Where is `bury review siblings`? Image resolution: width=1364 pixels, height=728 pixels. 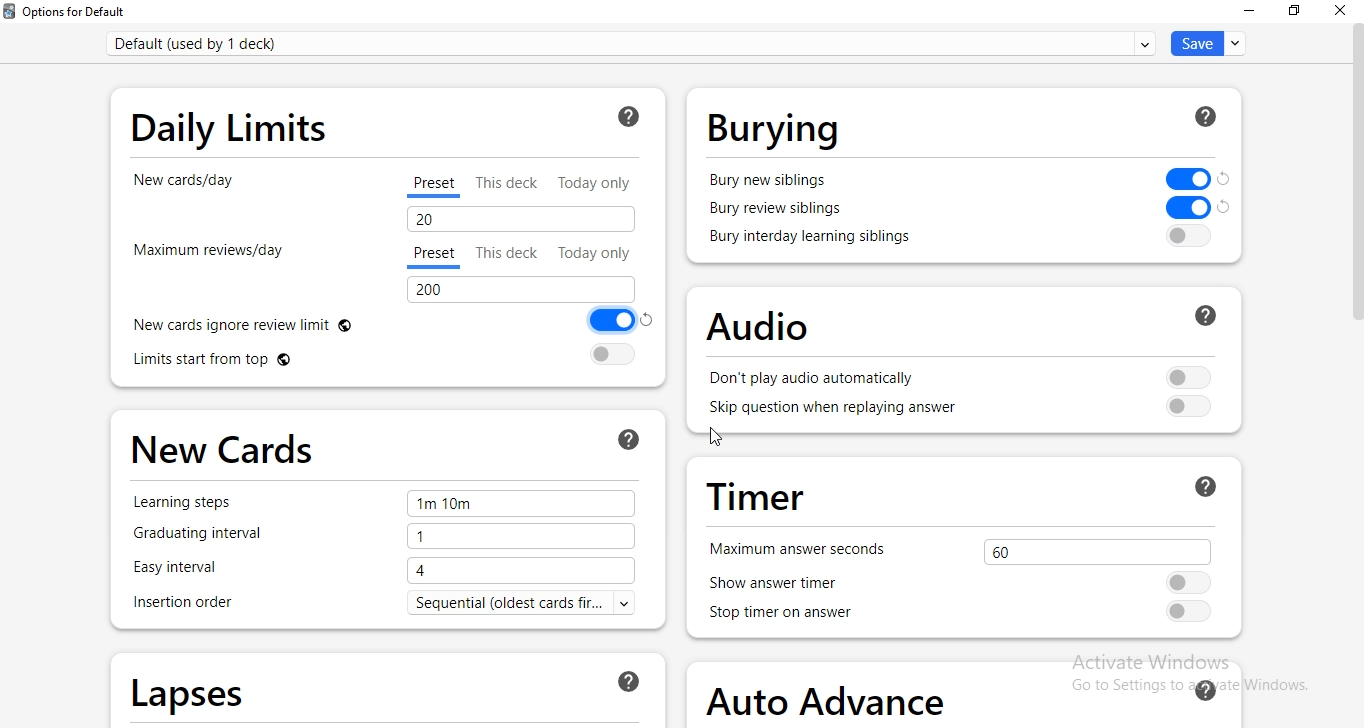
bury review siblings is located at coordinates (777, 211).